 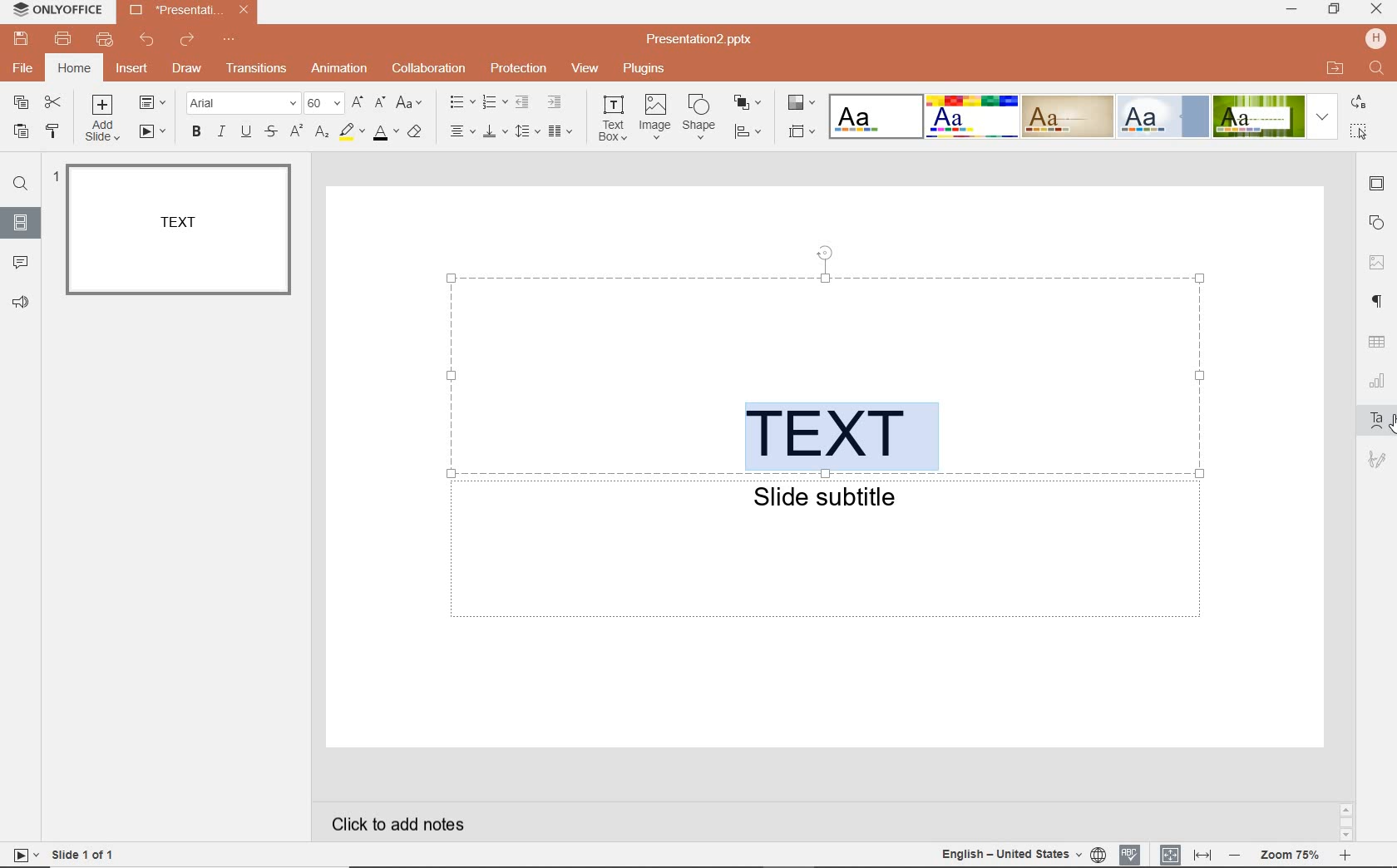 What do you see at coordinates (1083, 115) in the screenshot?
I see `TEXT EFFECTS` at bounding box center [1083, 115].